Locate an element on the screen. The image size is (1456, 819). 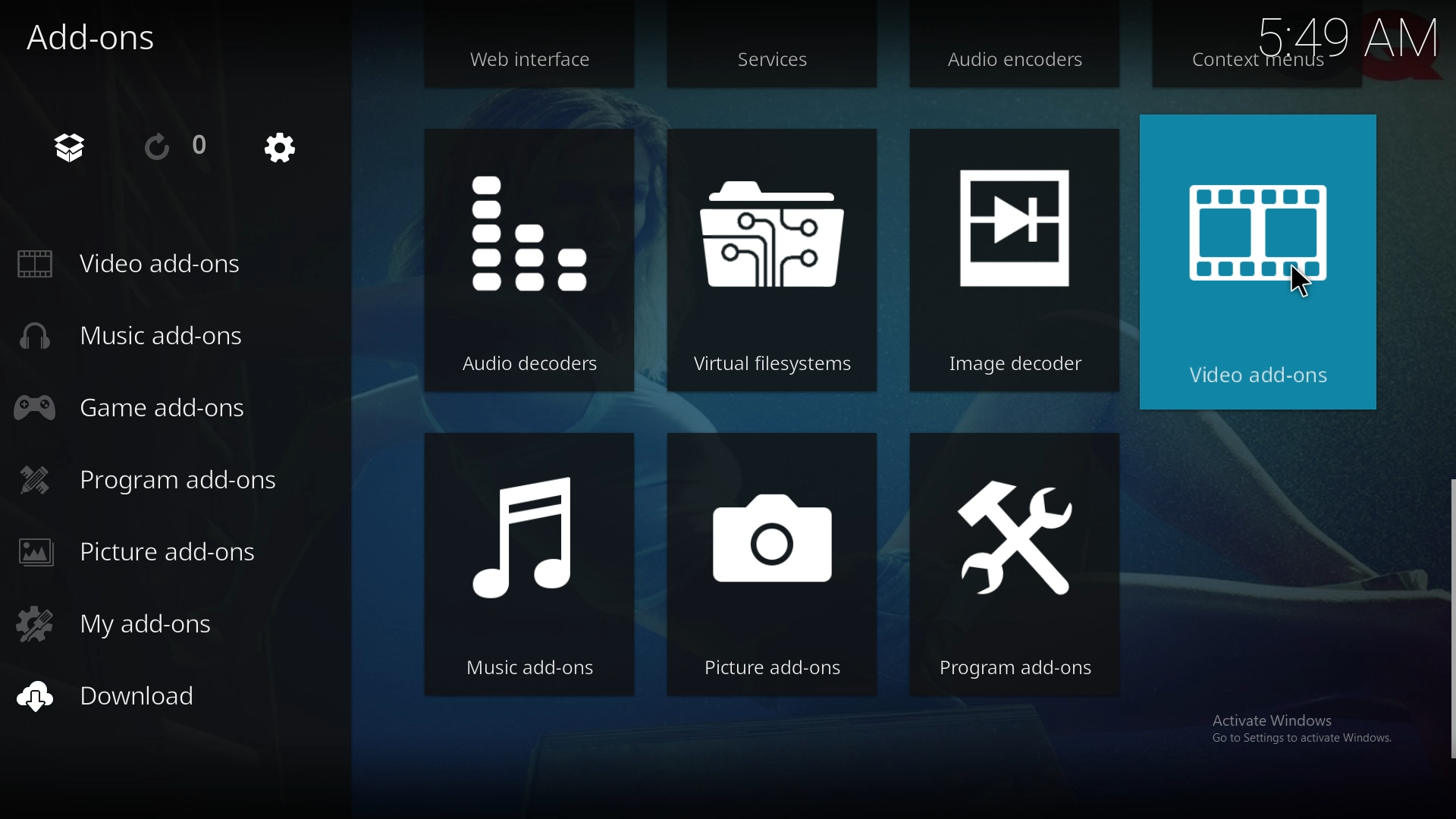
scroll bar is located at coordinates (1448, 622).